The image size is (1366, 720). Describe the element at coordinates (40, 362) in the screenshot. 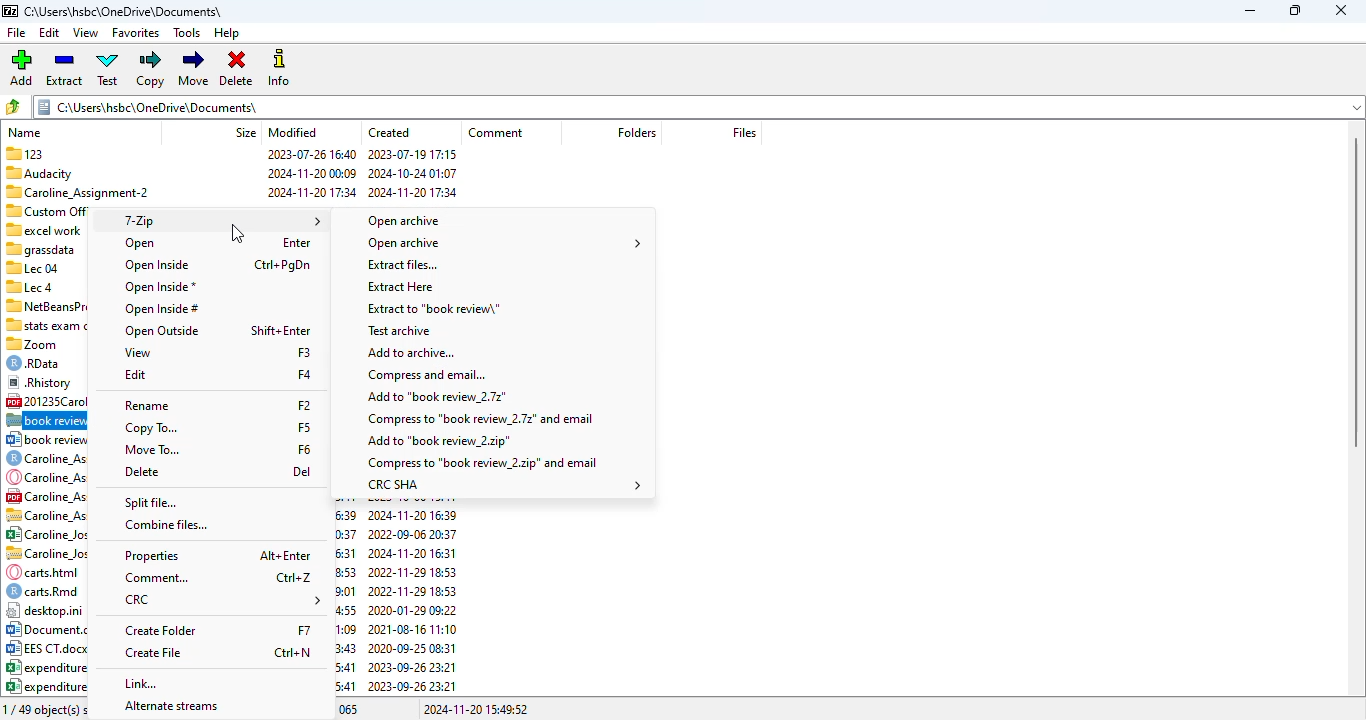

I see `© RData` at that location.